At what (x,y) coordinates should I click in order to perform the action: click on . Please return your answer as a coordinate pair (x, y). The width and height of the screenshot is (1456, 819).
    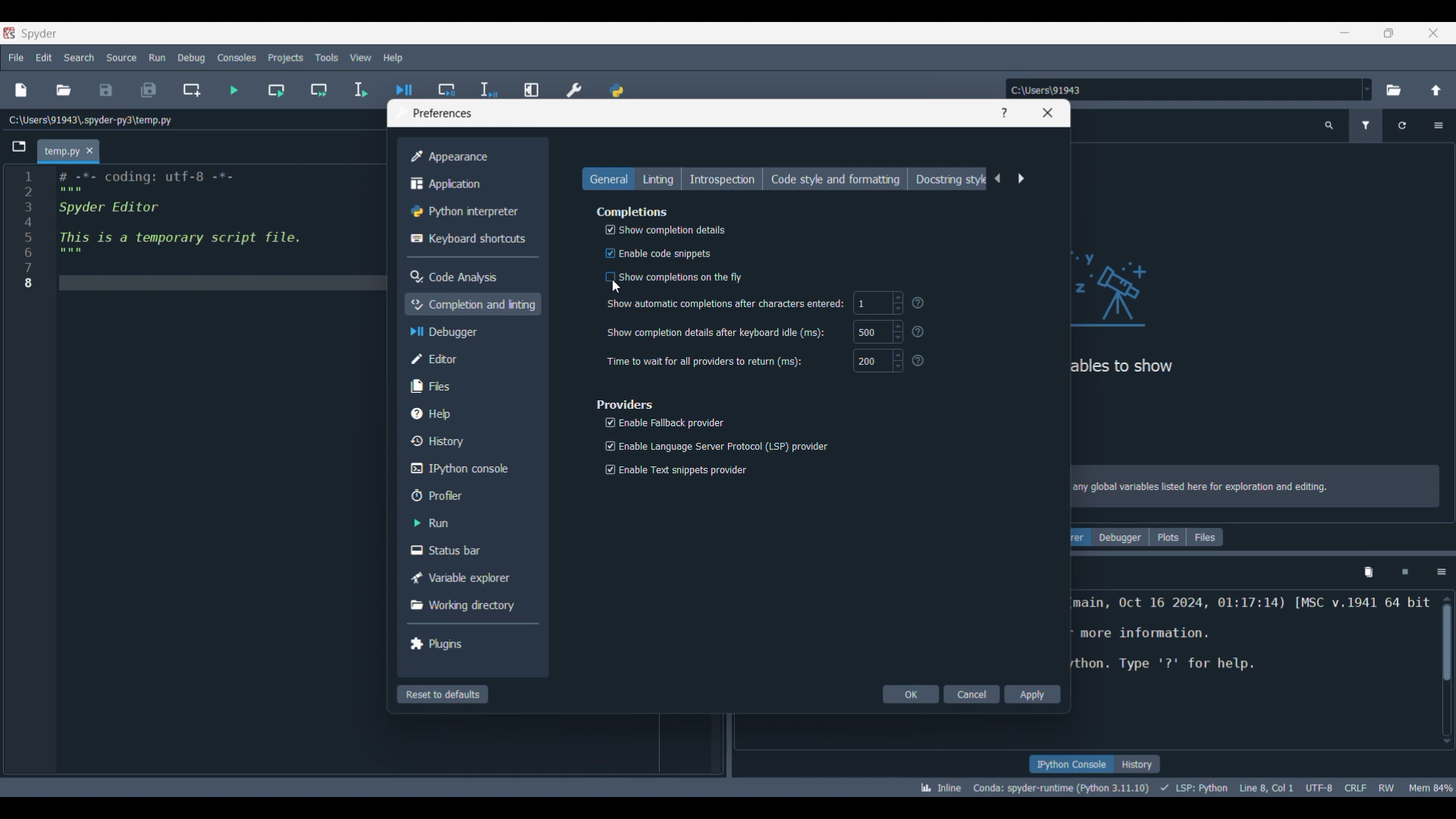
    Looking at the image, I should click on (922, 304).